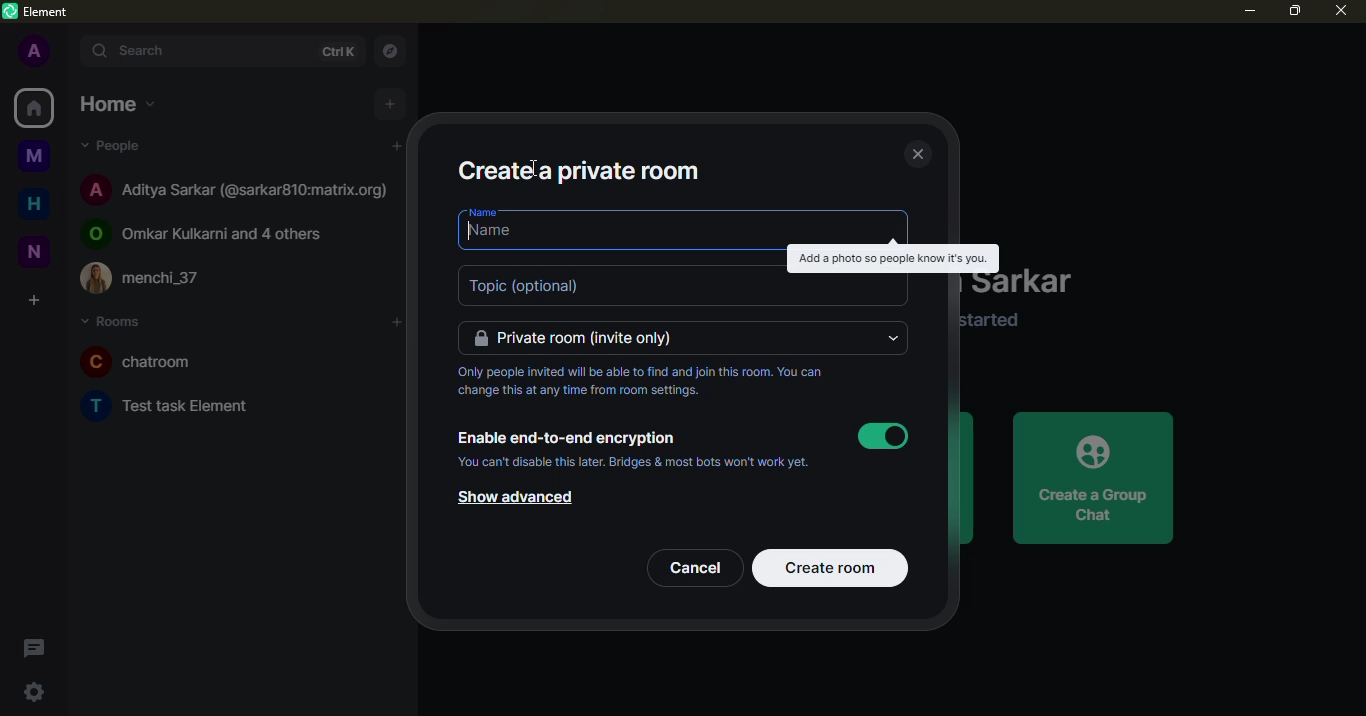 The width and height of the screenshot is (1366, 716). I want to click on create space, so click(37, 300).